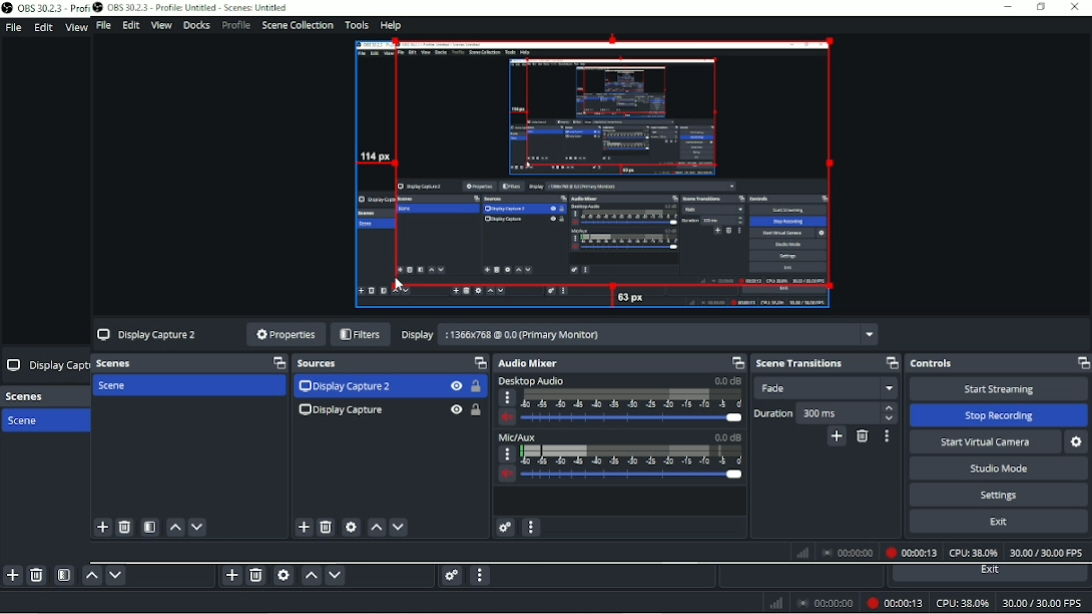 The image size is (1092, 614). Describe the element at coordinates (336, 576) in the screenshot. I see `Move source(s) down` at that location.